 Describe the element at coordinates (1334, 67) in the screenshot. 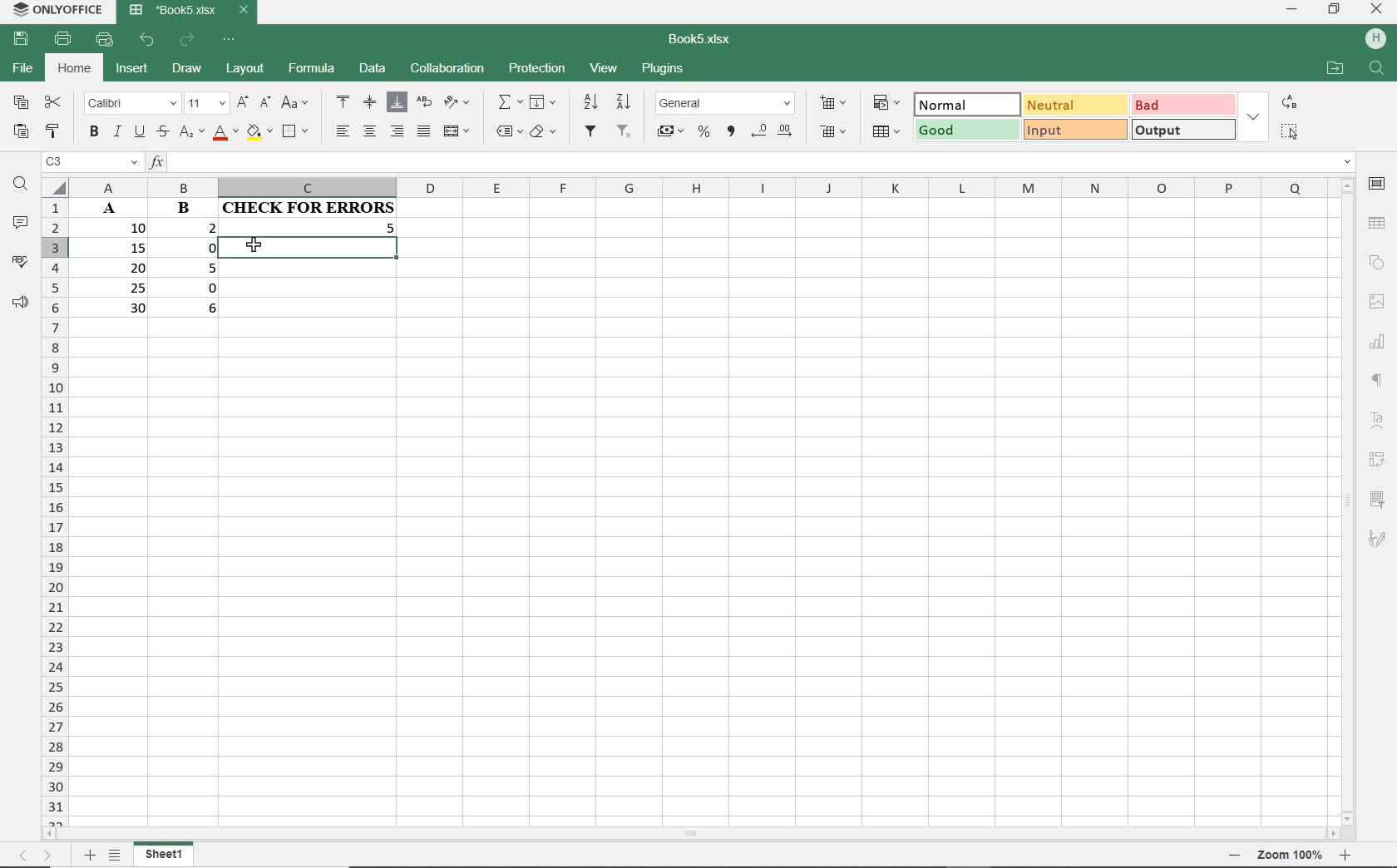

I see `OPEN FILE LOCATION` at that location.